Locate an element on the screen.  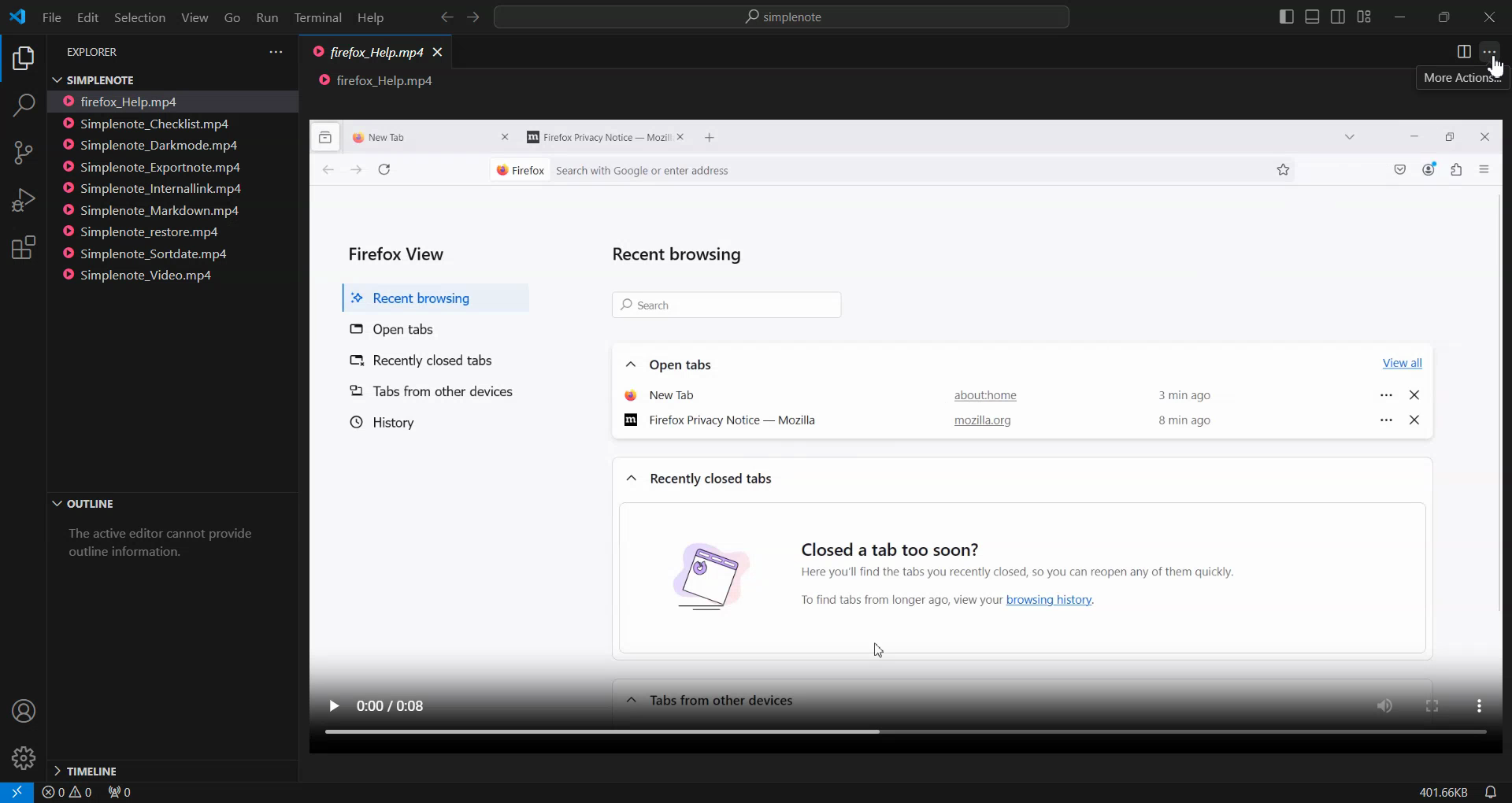
account is located at coordinates (1430, 169).